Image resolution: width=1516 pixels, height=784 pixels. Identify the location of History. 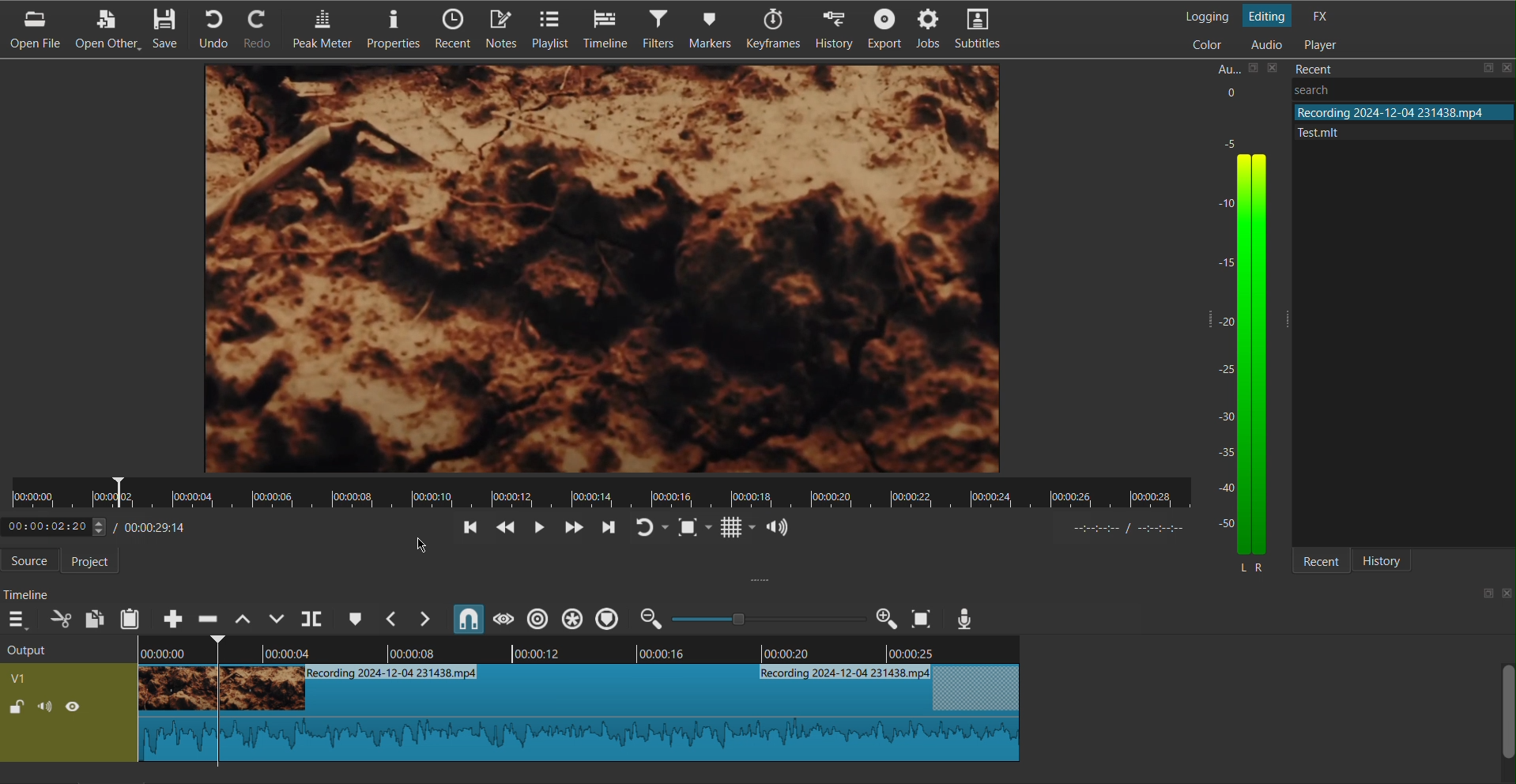
(1391, 561).